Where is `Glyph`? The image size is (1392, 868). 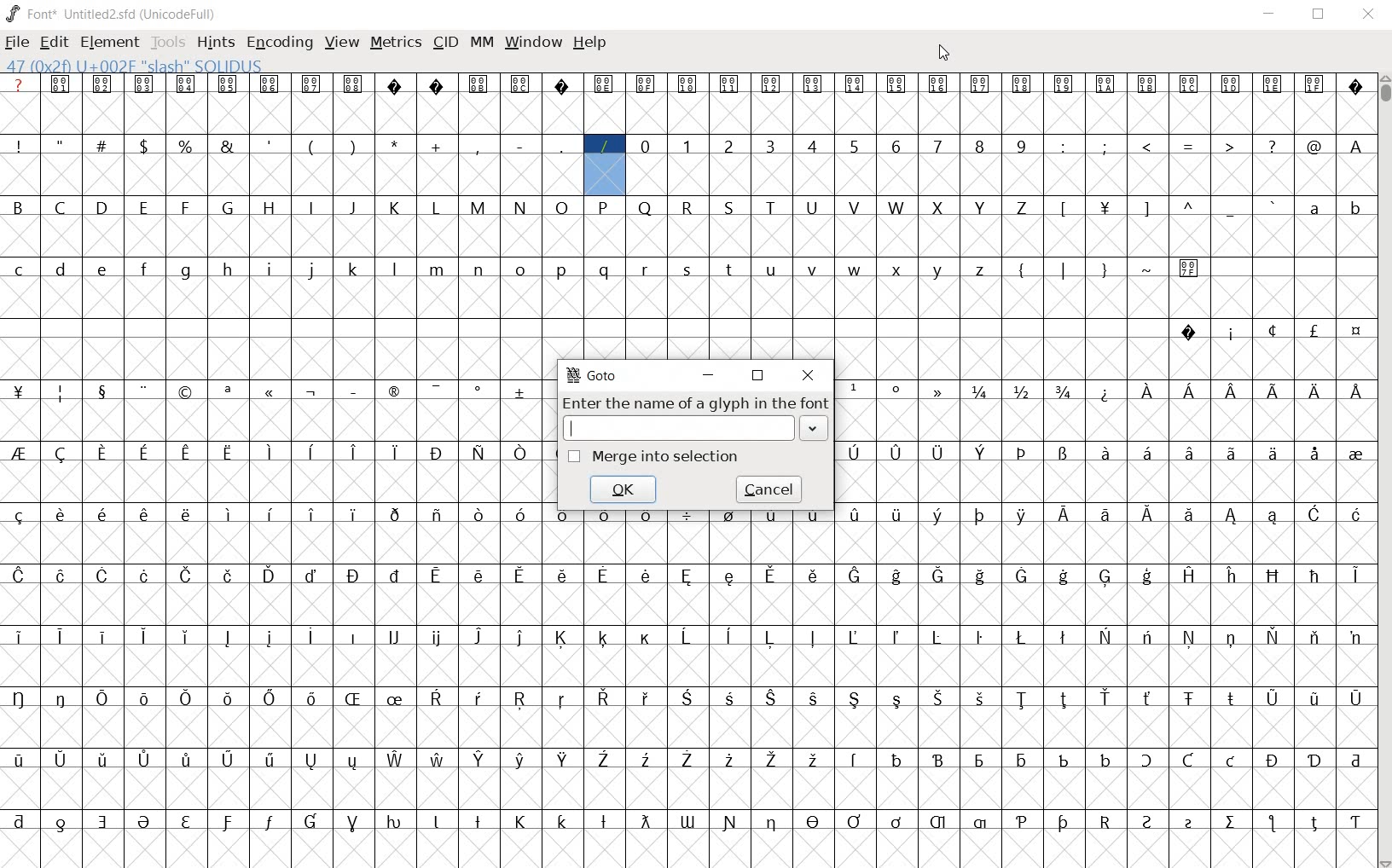
Glyph is located at coordinates (19, 84).